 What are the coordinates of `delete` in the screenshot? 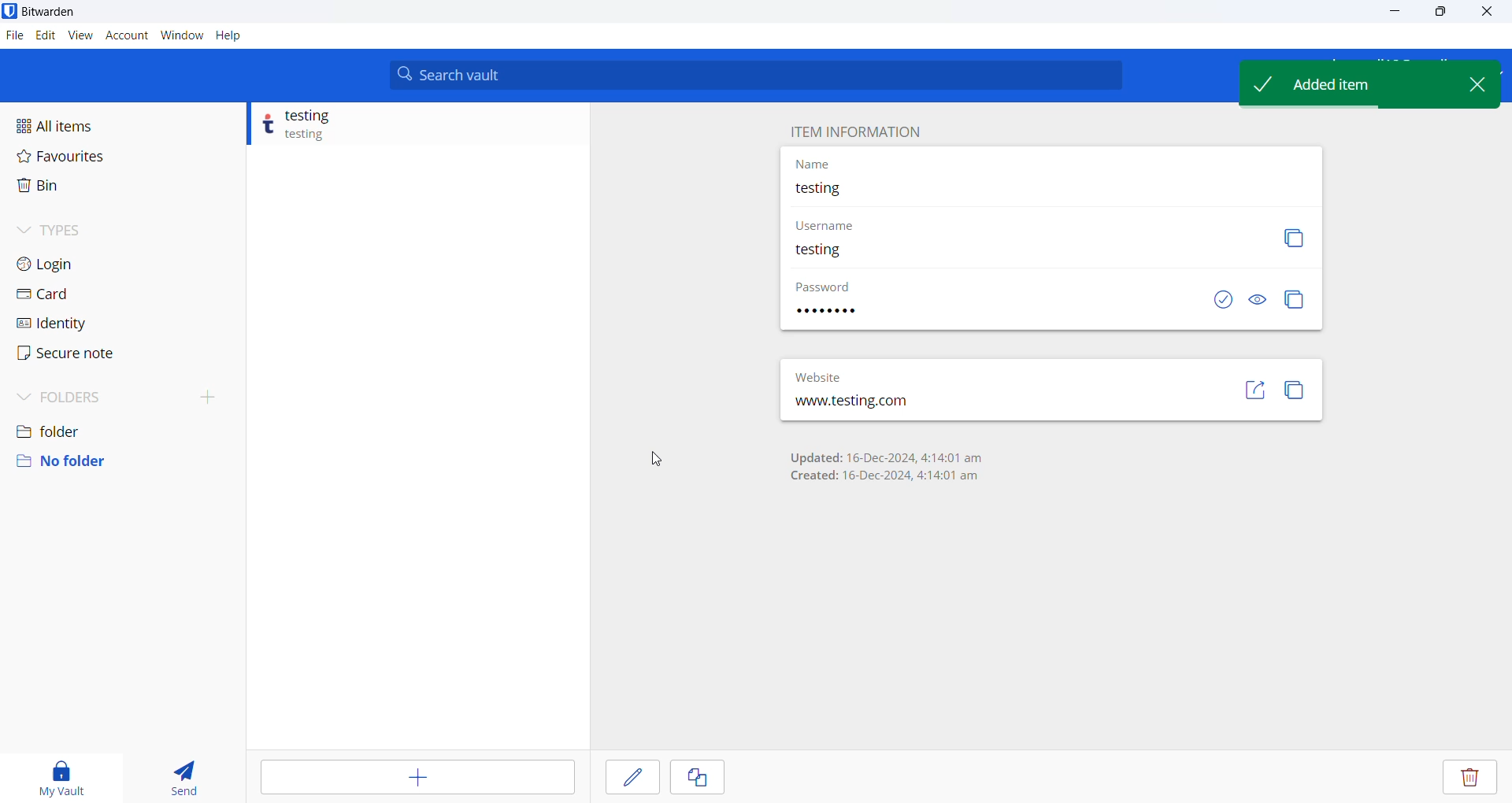 It's located at (1471, 777).